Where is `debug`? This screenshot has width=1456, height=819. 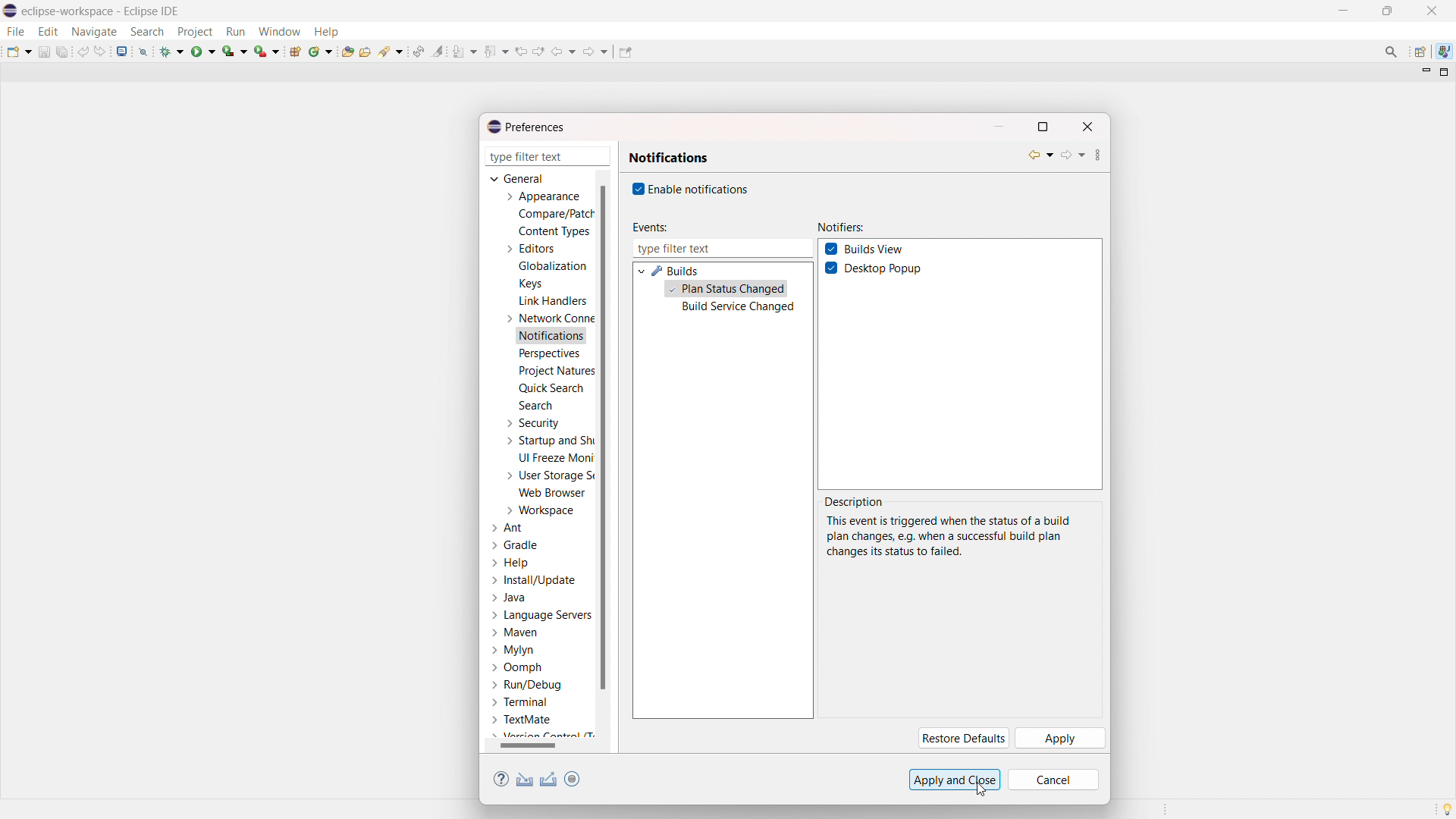
debug is located at coordinates (172, 51).